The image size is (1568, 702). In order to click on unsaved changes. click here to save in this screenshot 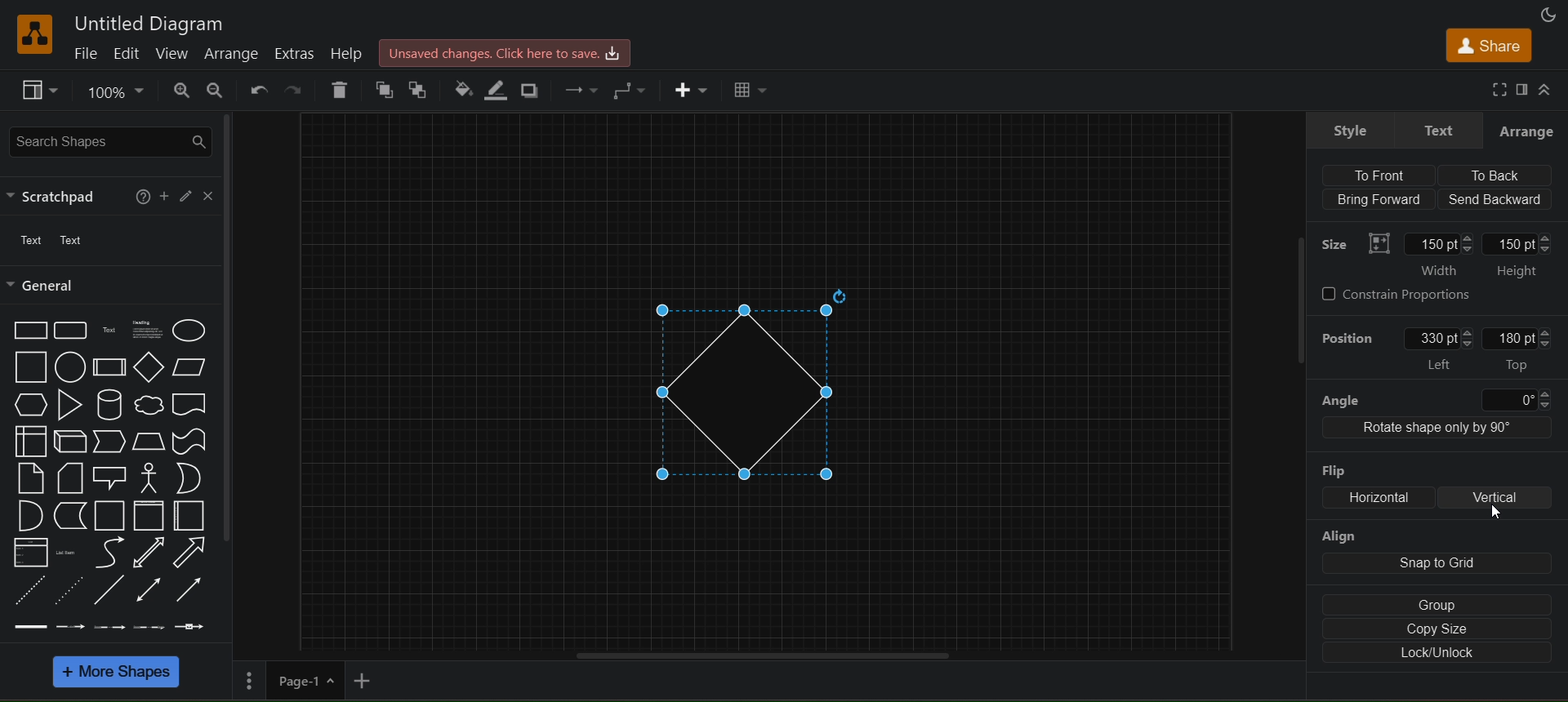, I will do `click(502, 51)`.